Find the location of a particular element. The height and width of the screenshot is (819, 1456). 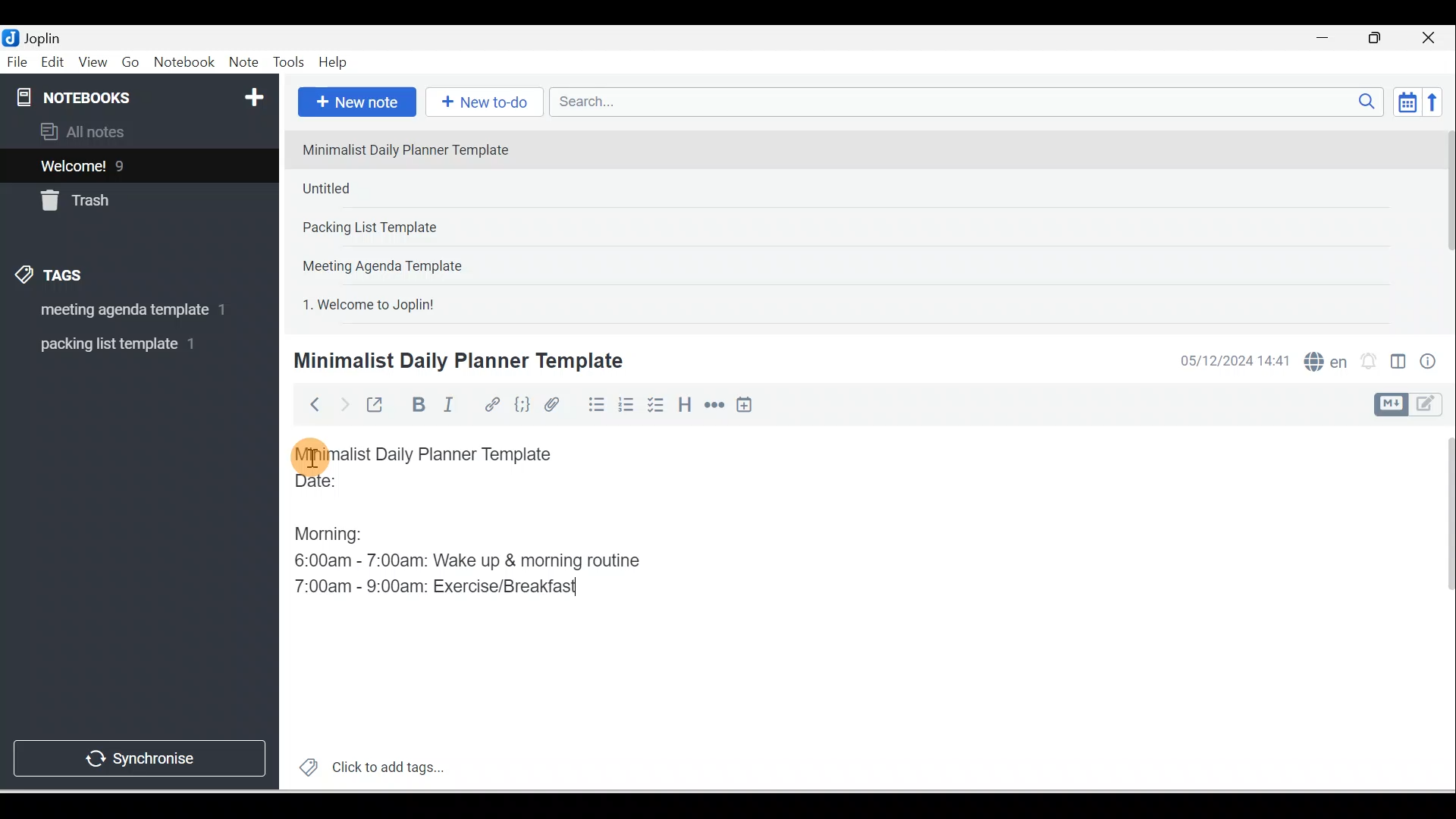

Help is located at coordinates (334, 63).